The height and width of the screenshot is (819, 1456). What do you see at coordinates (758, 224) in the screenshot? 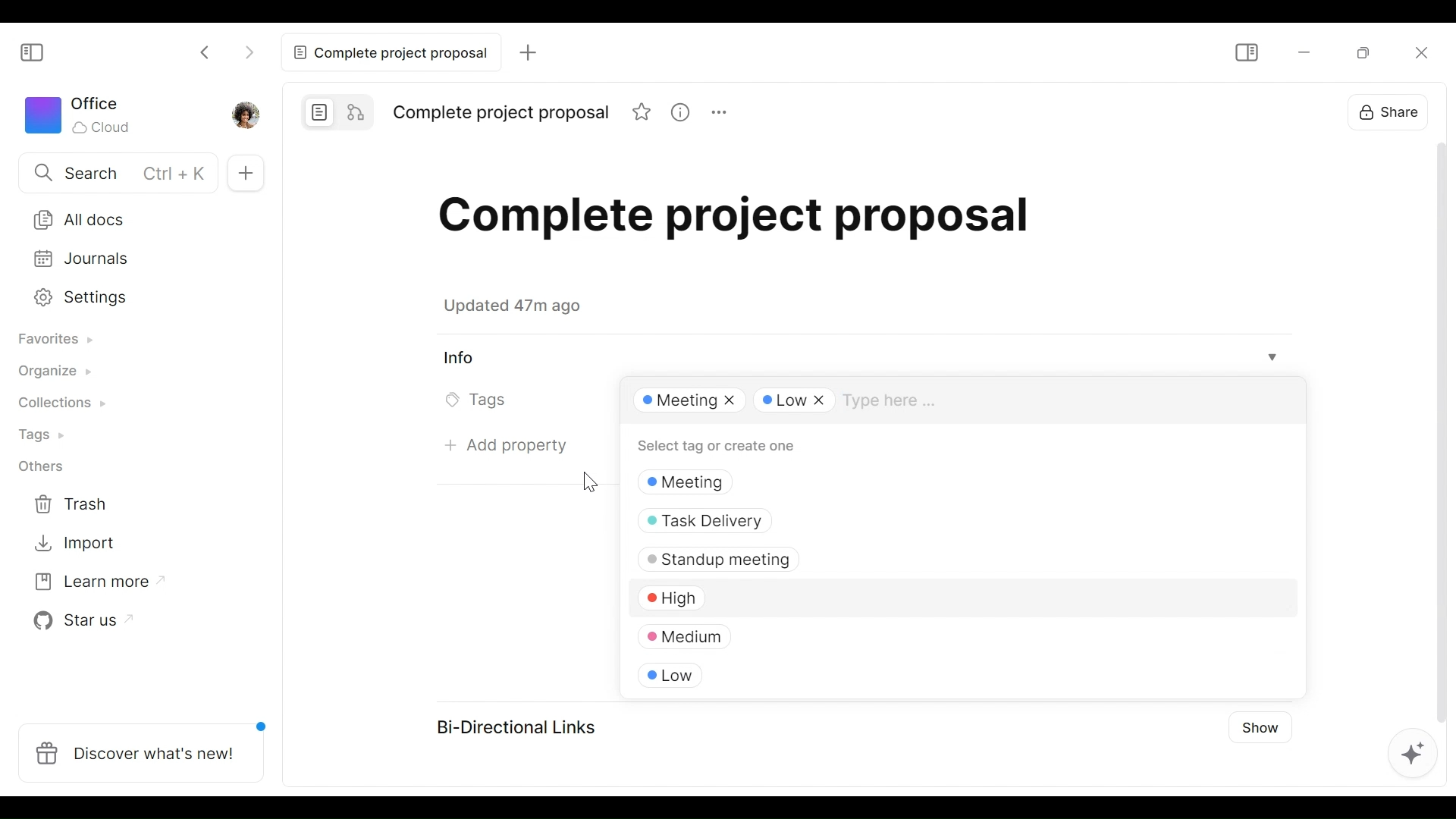
I see `Title` at bounding box center [758, 224].